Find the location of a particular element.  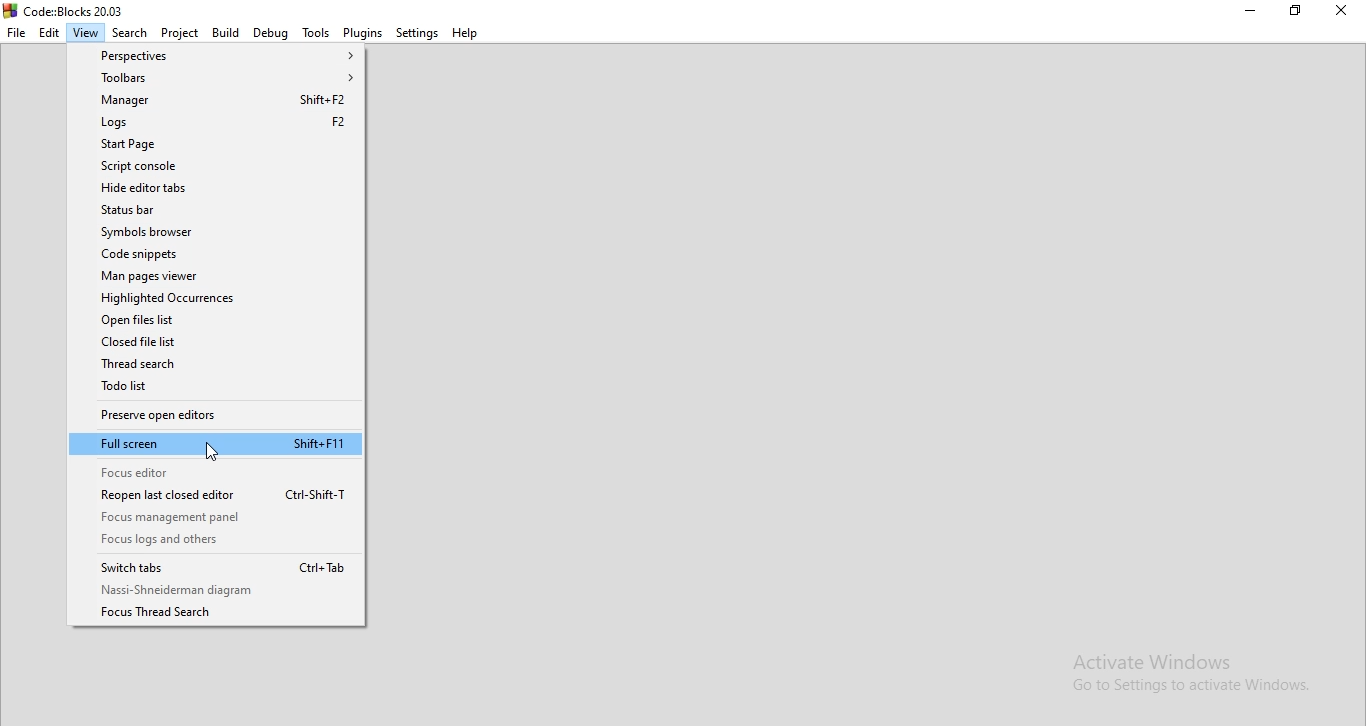

View  is located at coordinates (84, 34).